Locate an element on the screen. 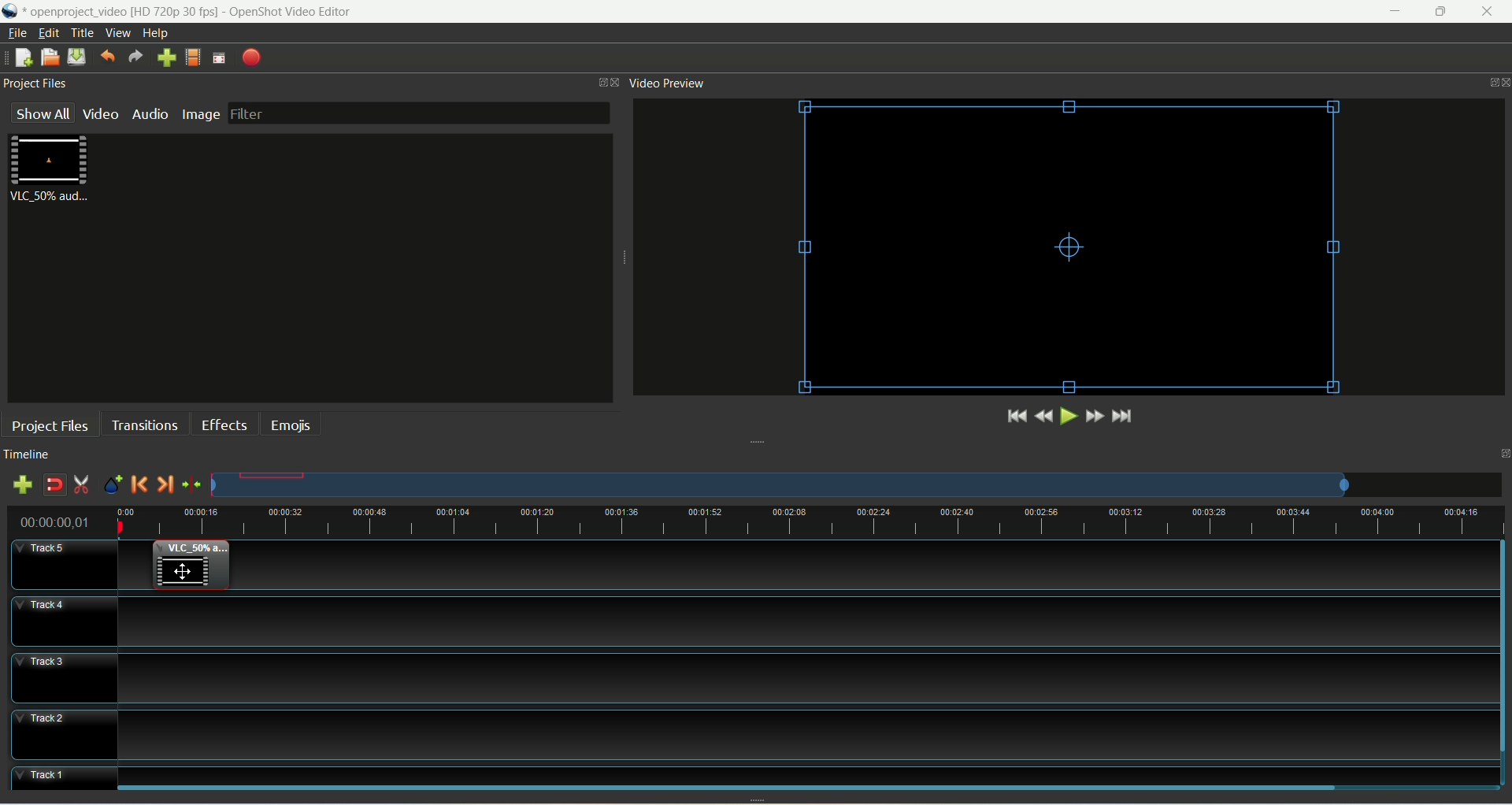  edit is located at coordinates (50, 32).